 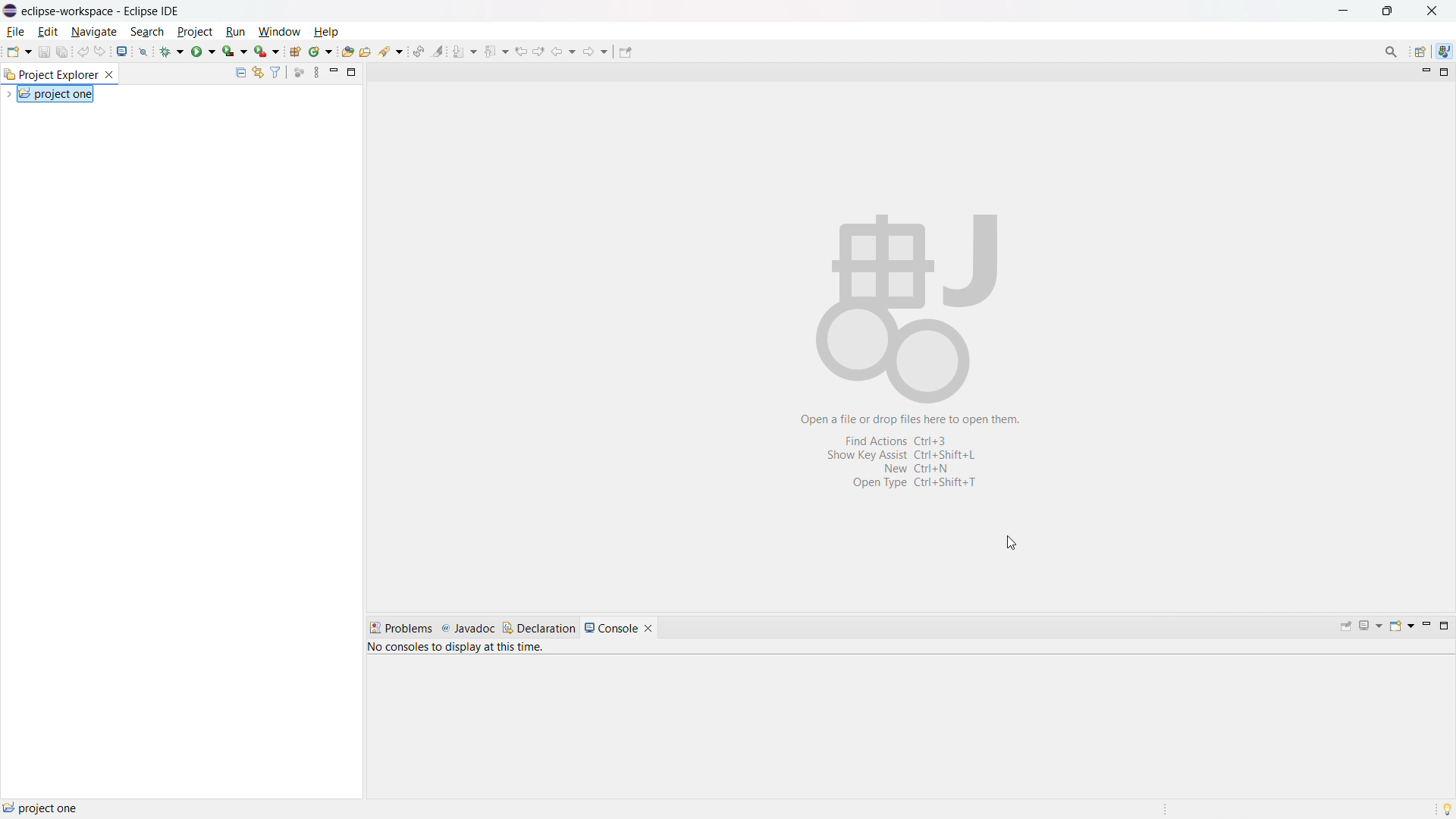 What do you see at coordinates (256, 73) in the screenshot?
I see `link to editor` at bounding box center [256, 73].